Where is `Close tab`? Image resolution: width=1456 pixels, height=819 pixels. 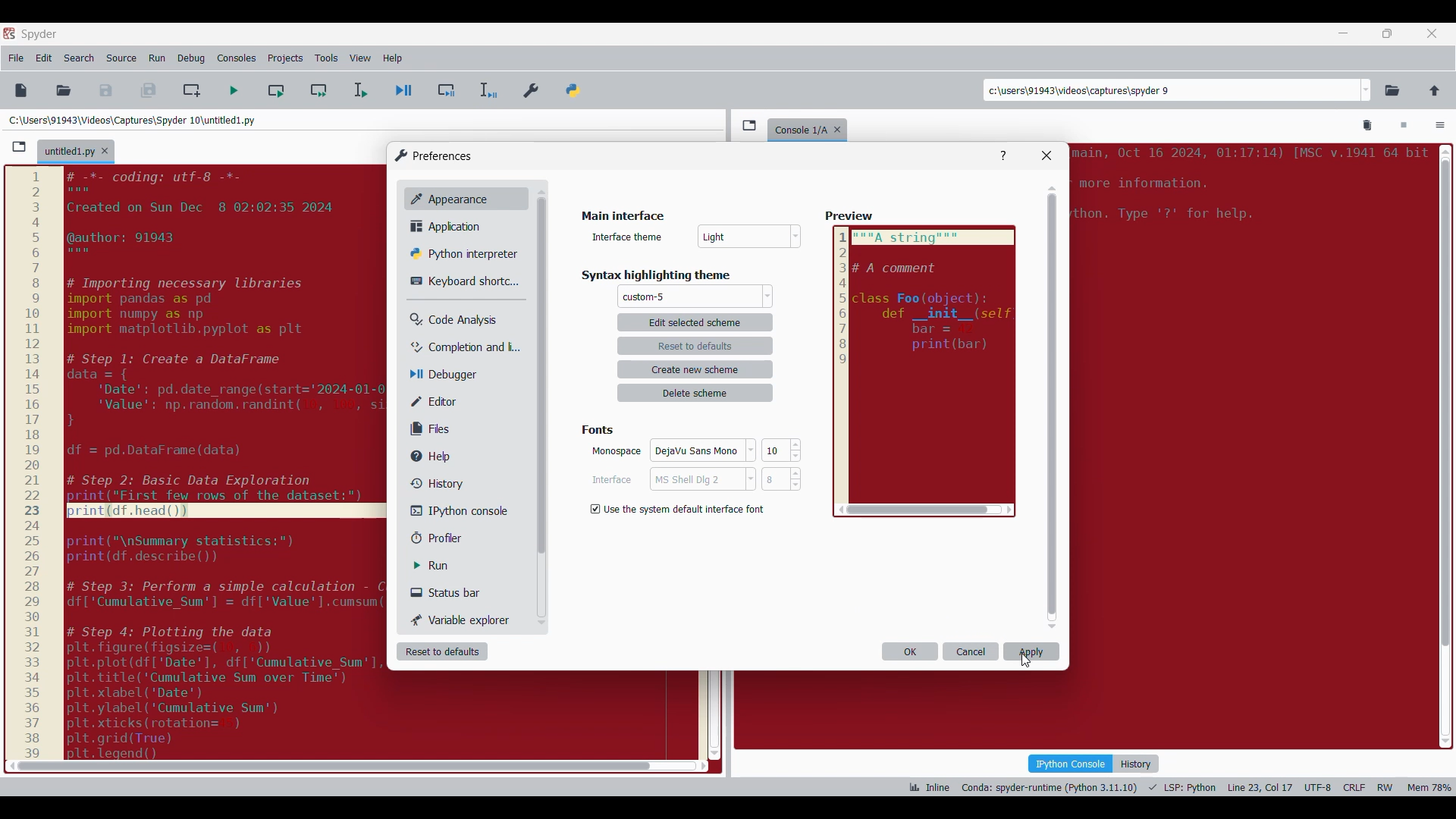 Close tab is located at coordinates (841, 127).